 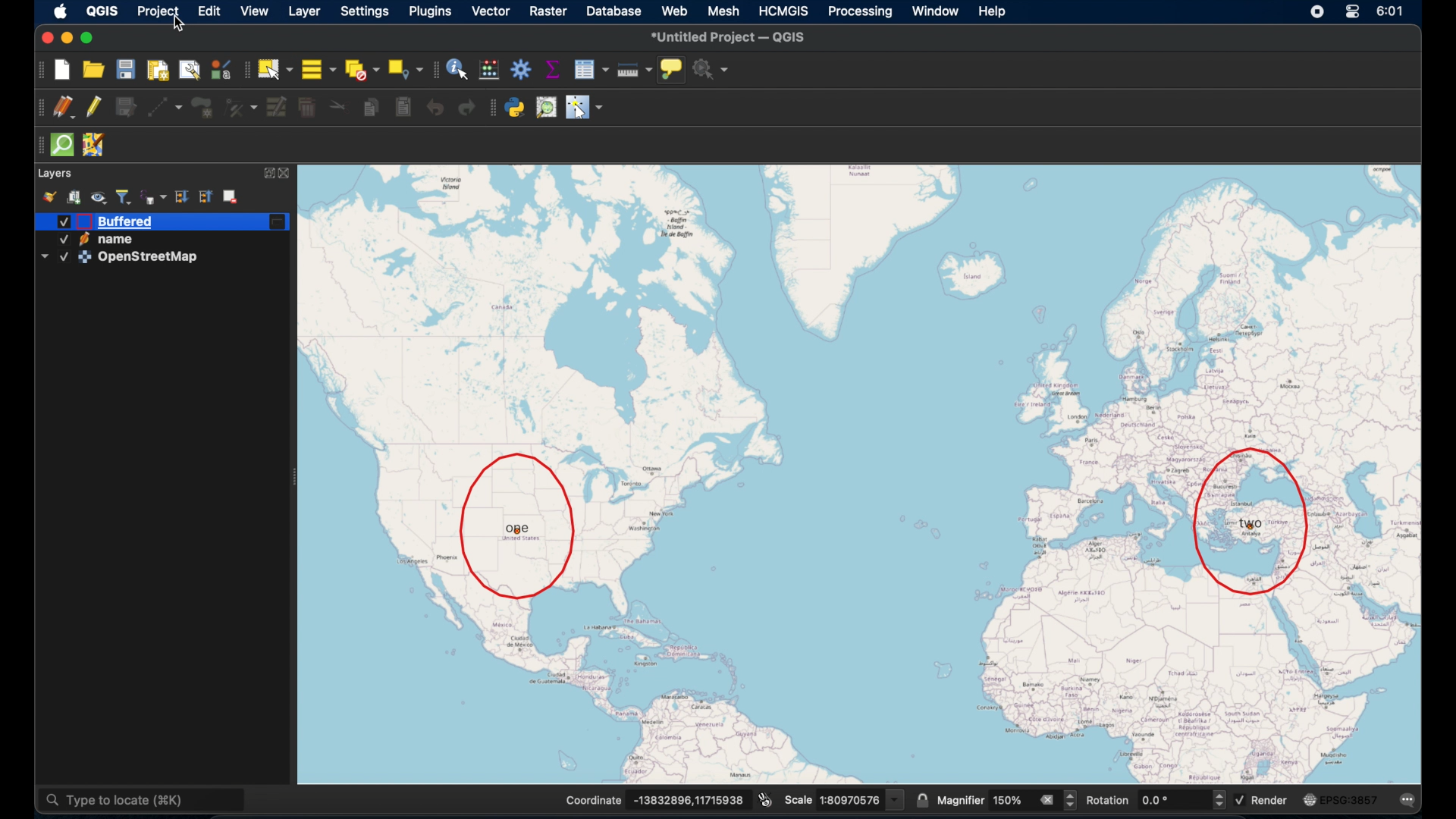 What do you see at coordinates (59, 220) in the screenshot?
I see `Checked checkbox` at bounding box center [59, 220].